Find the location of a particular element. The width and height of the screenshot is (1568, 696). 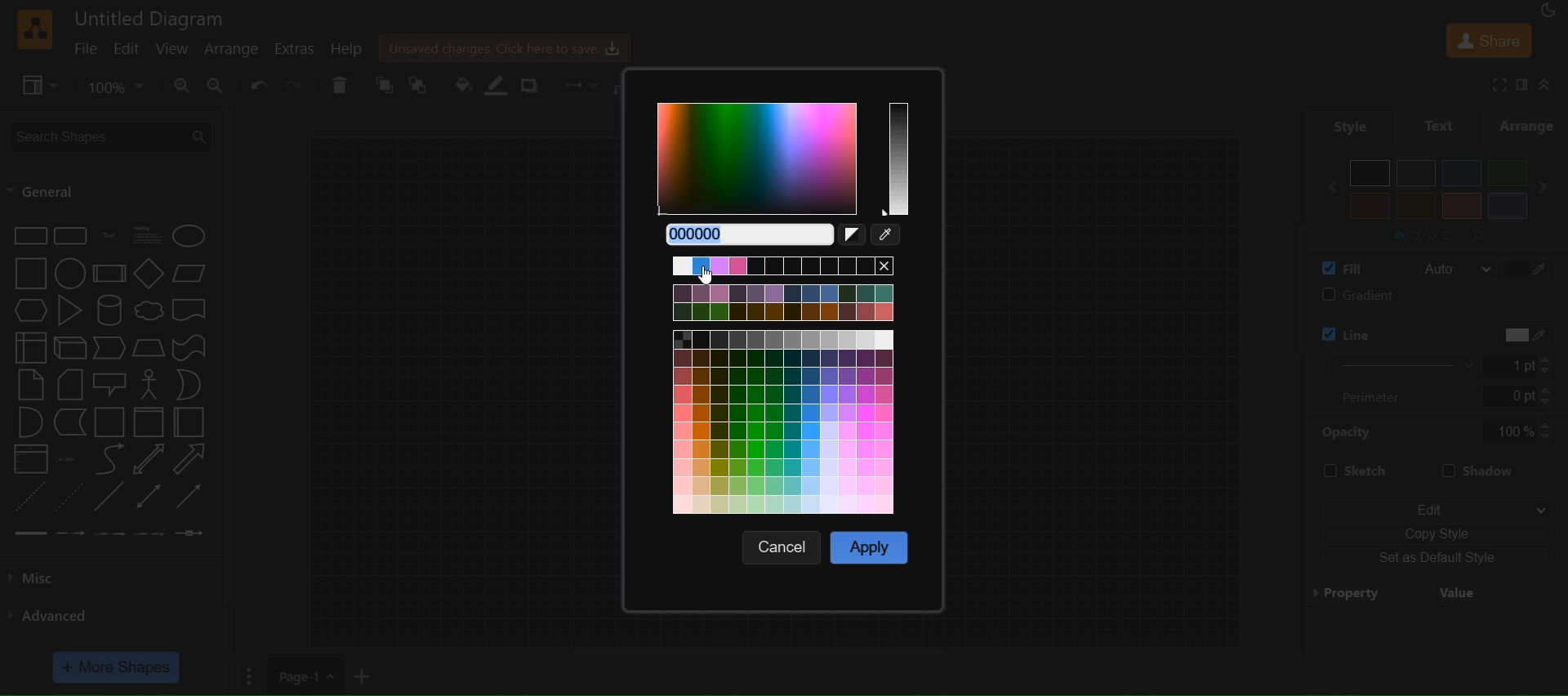

internal storage is located at coordinates (29, 346).